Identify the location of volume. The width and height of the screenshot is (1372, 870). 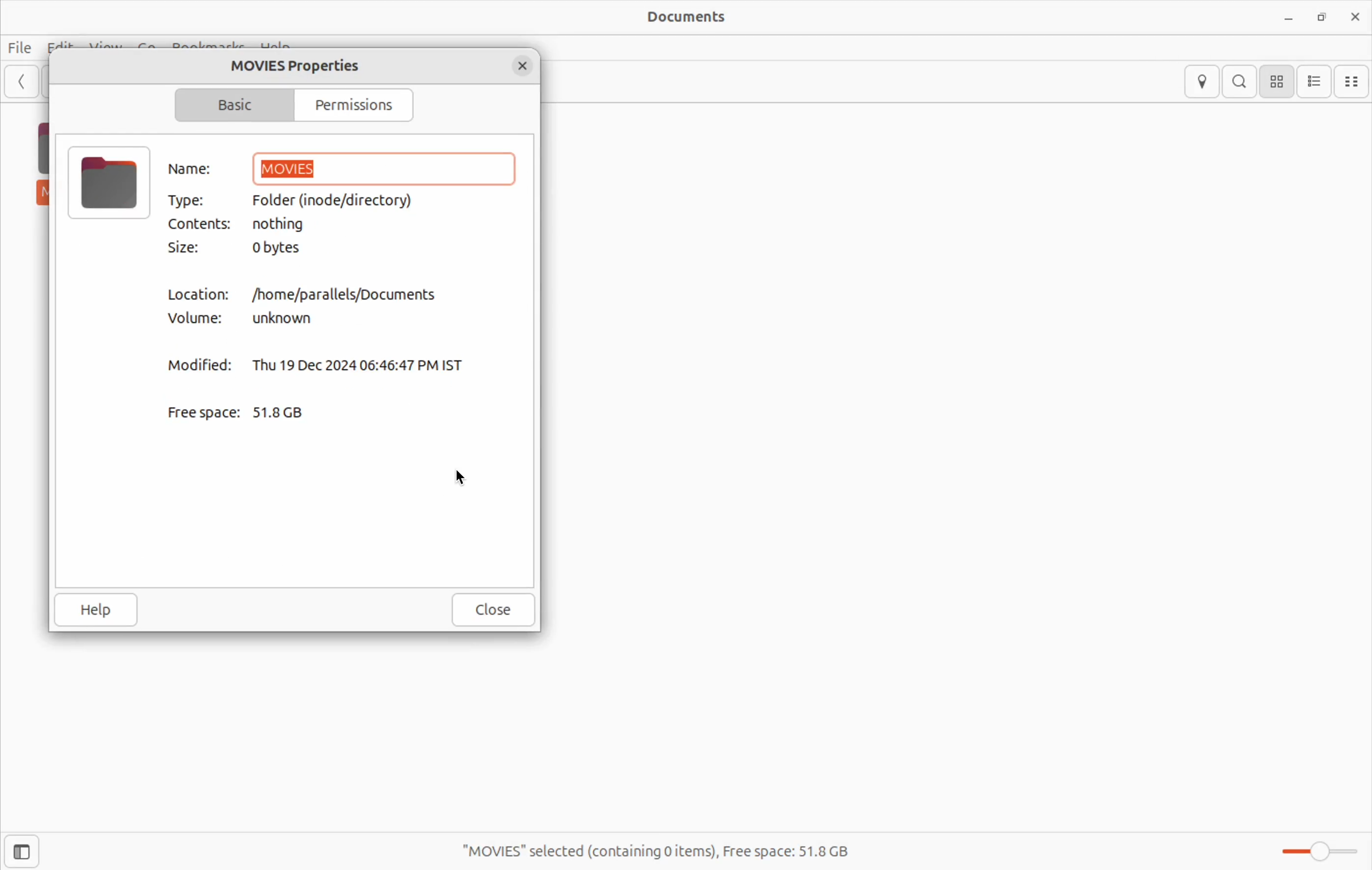
(203, 319).